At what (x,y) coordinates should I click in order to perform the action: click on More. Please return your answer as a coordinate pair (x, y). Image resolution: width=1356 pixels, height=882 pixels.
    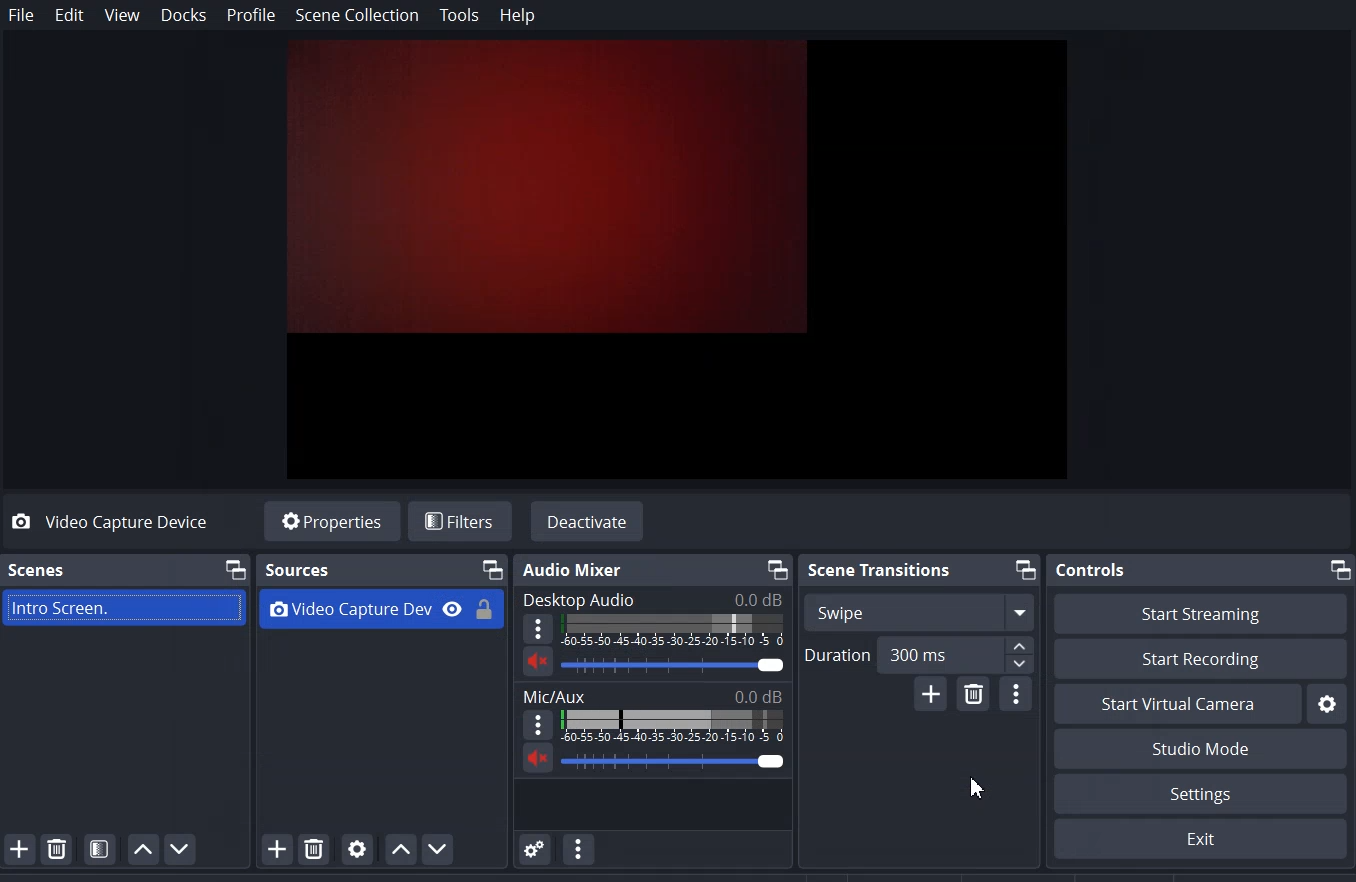
    Looking at the image, I should click on (535, 724).